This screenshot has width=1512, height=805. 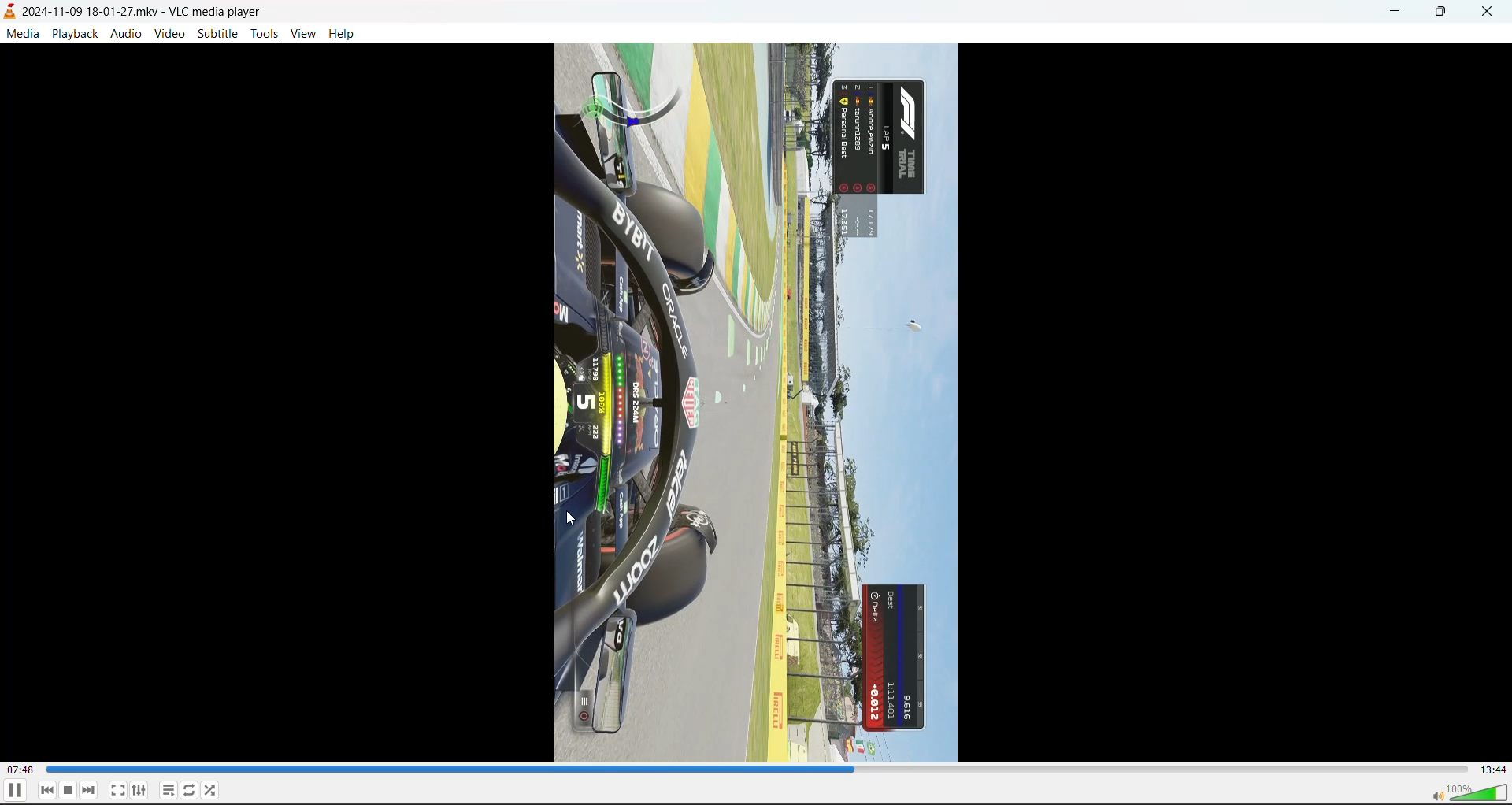 I want to click on video (rotated), so click(x=755, y=402).